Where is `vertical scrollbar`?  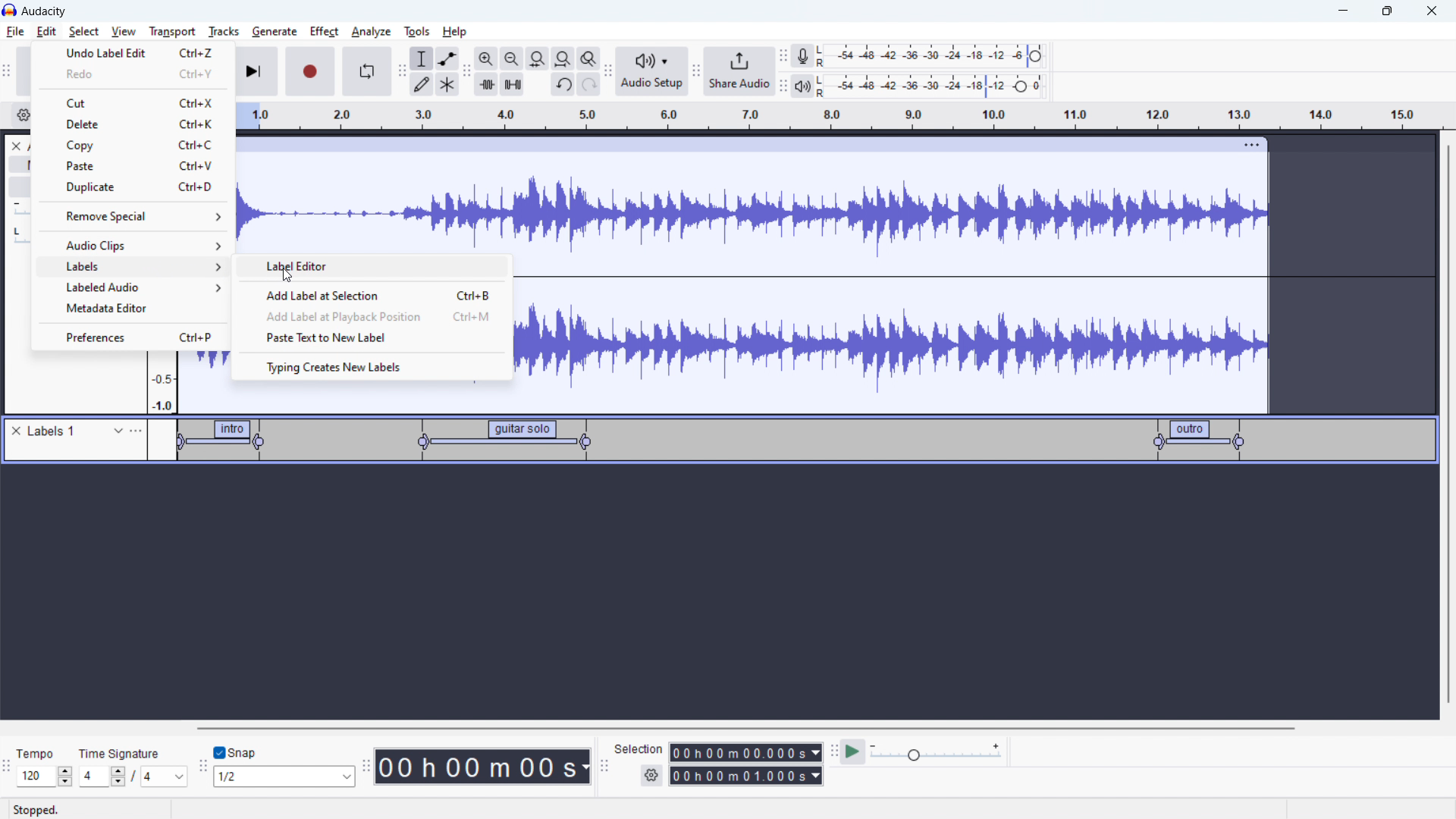
vertical scrollbar is located at coordinates (1446, 369).